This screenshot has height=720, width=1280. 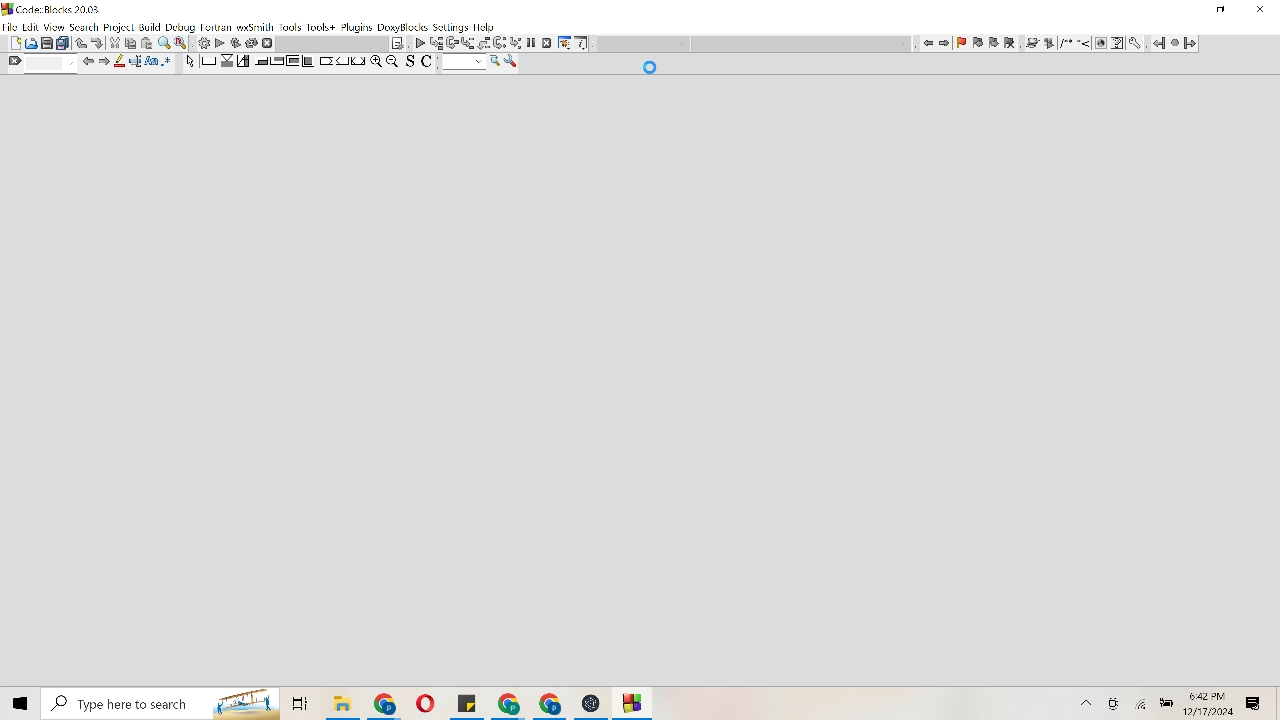 I want to click on Go Back, so click(x=1157, y=43).